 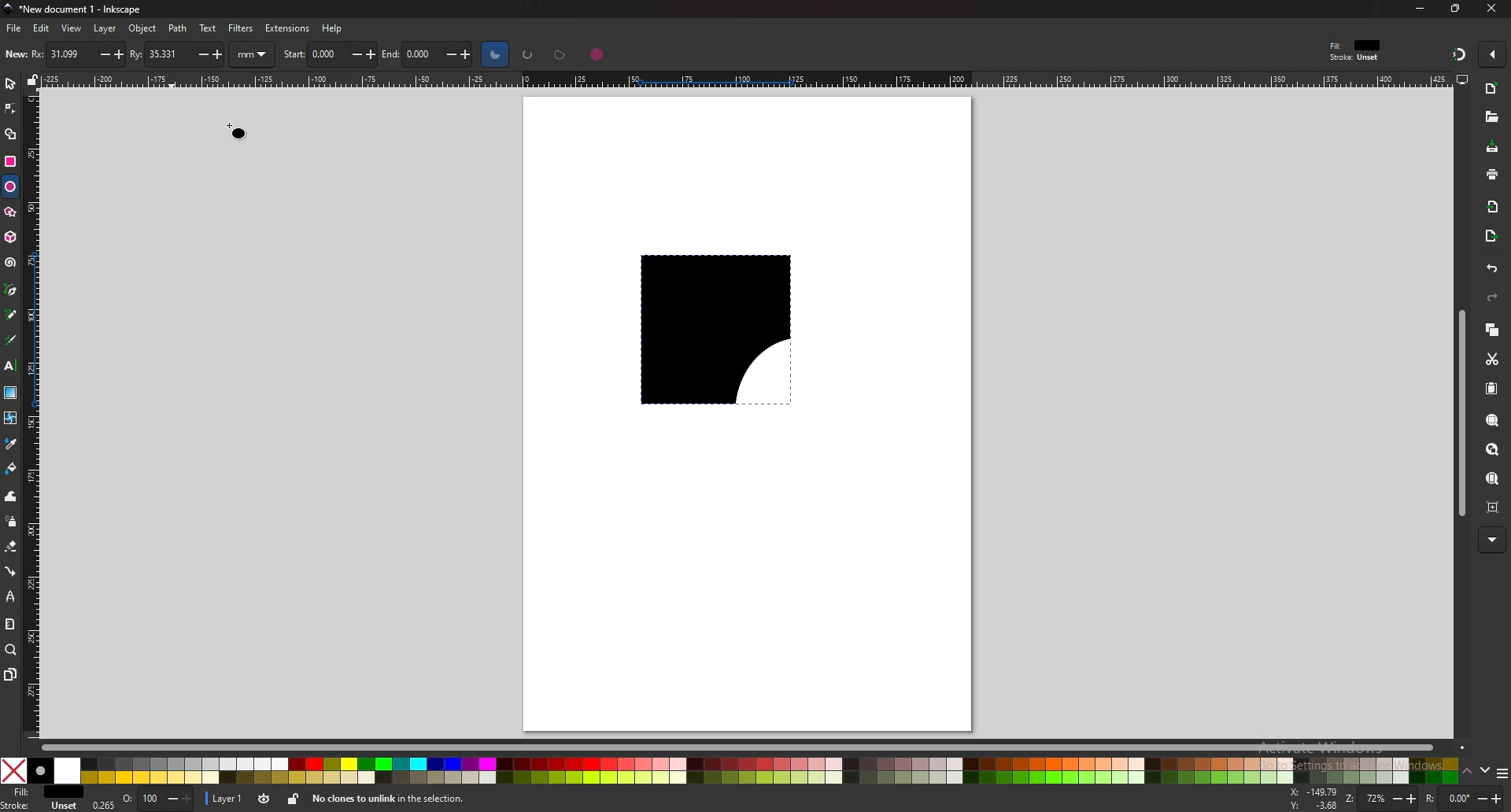 I want to click on rectangle, so click(x=11, y=160).